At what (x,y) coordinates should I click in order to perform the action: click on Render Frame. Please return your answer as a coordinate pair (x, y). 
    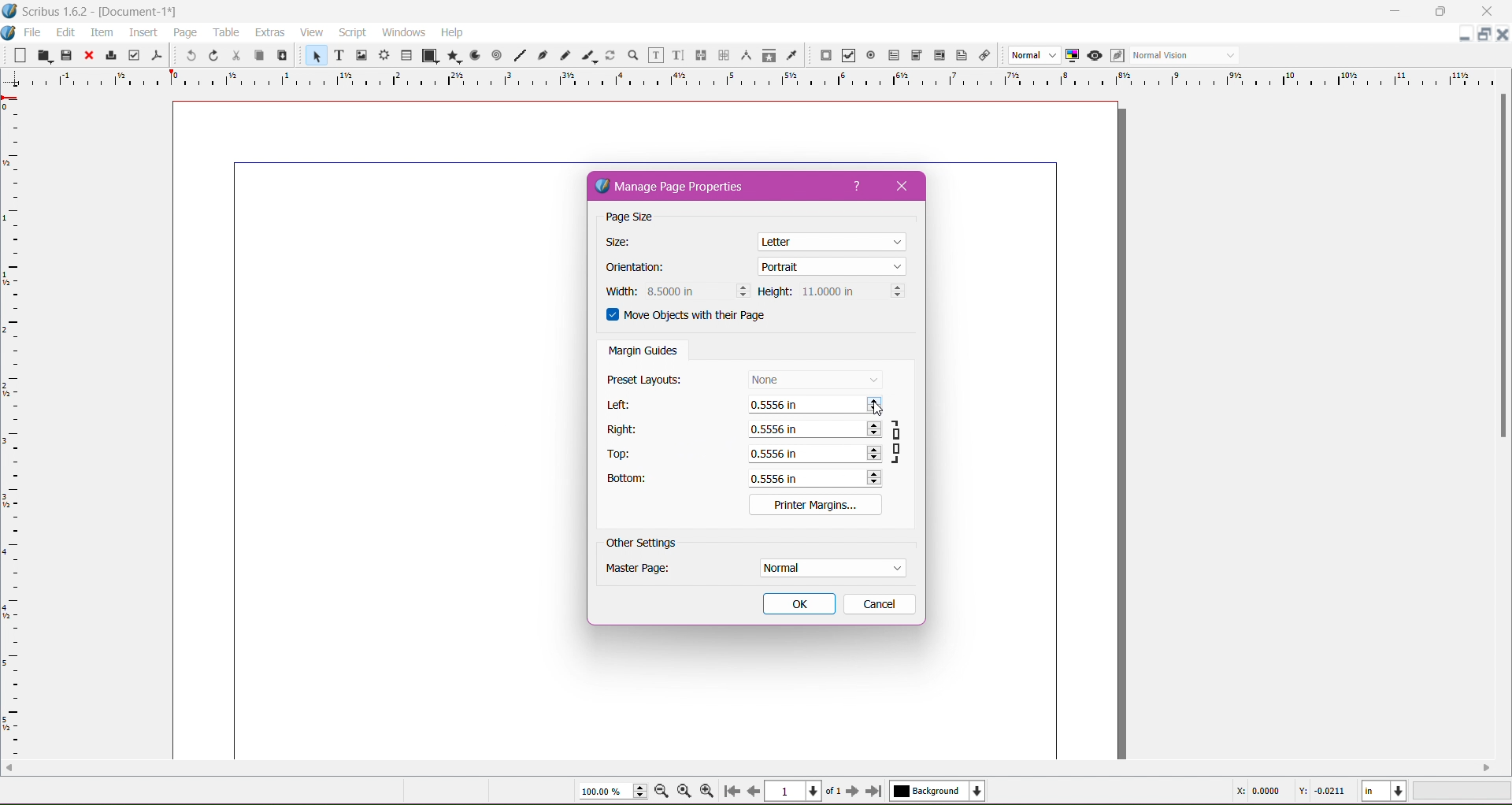
    Looking at the image, I should click on (385, 55).